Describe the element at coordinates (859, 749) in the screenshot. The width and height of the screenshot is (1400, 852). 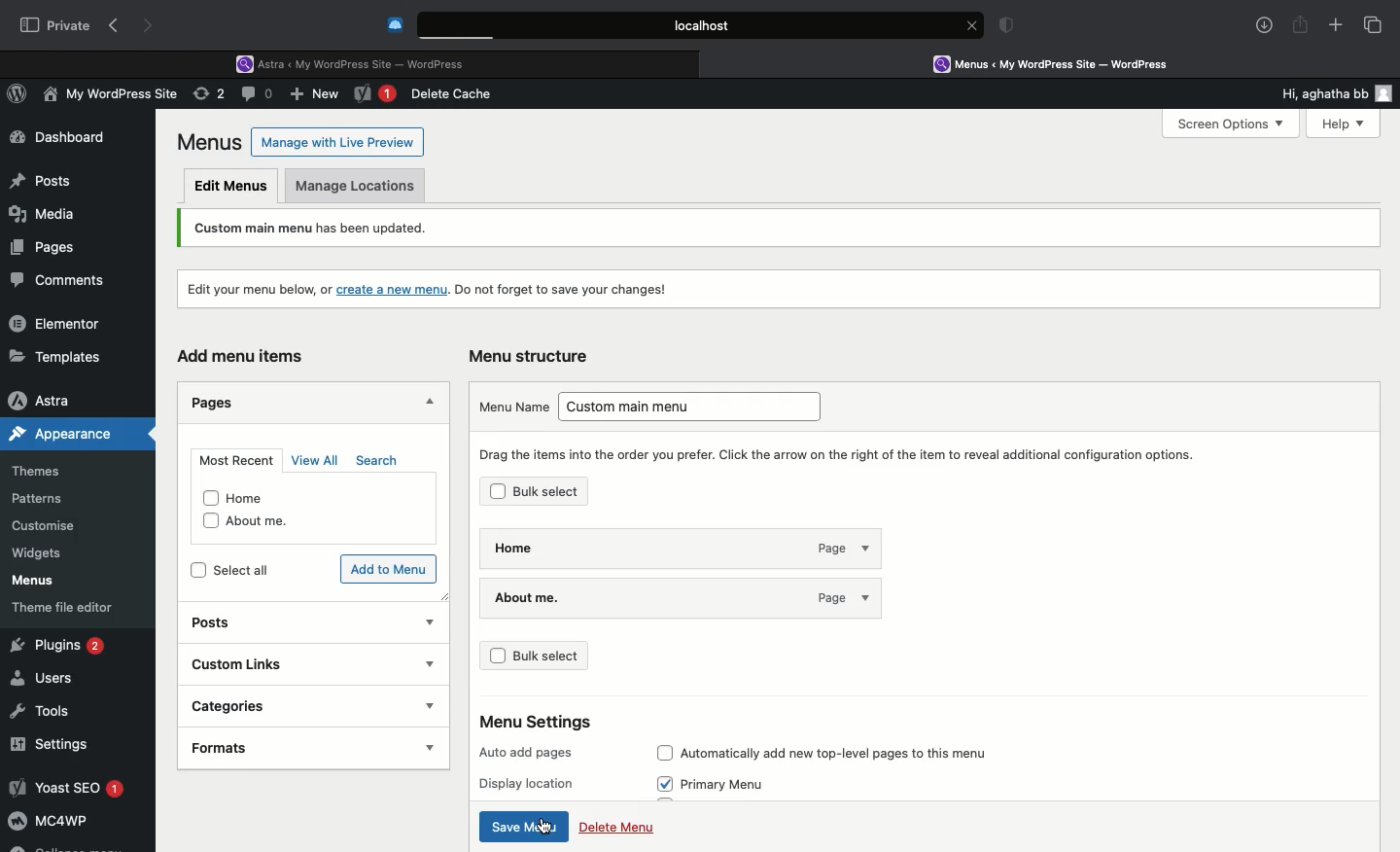
I see `Automatically add new top-level pages to this menu` at that location.